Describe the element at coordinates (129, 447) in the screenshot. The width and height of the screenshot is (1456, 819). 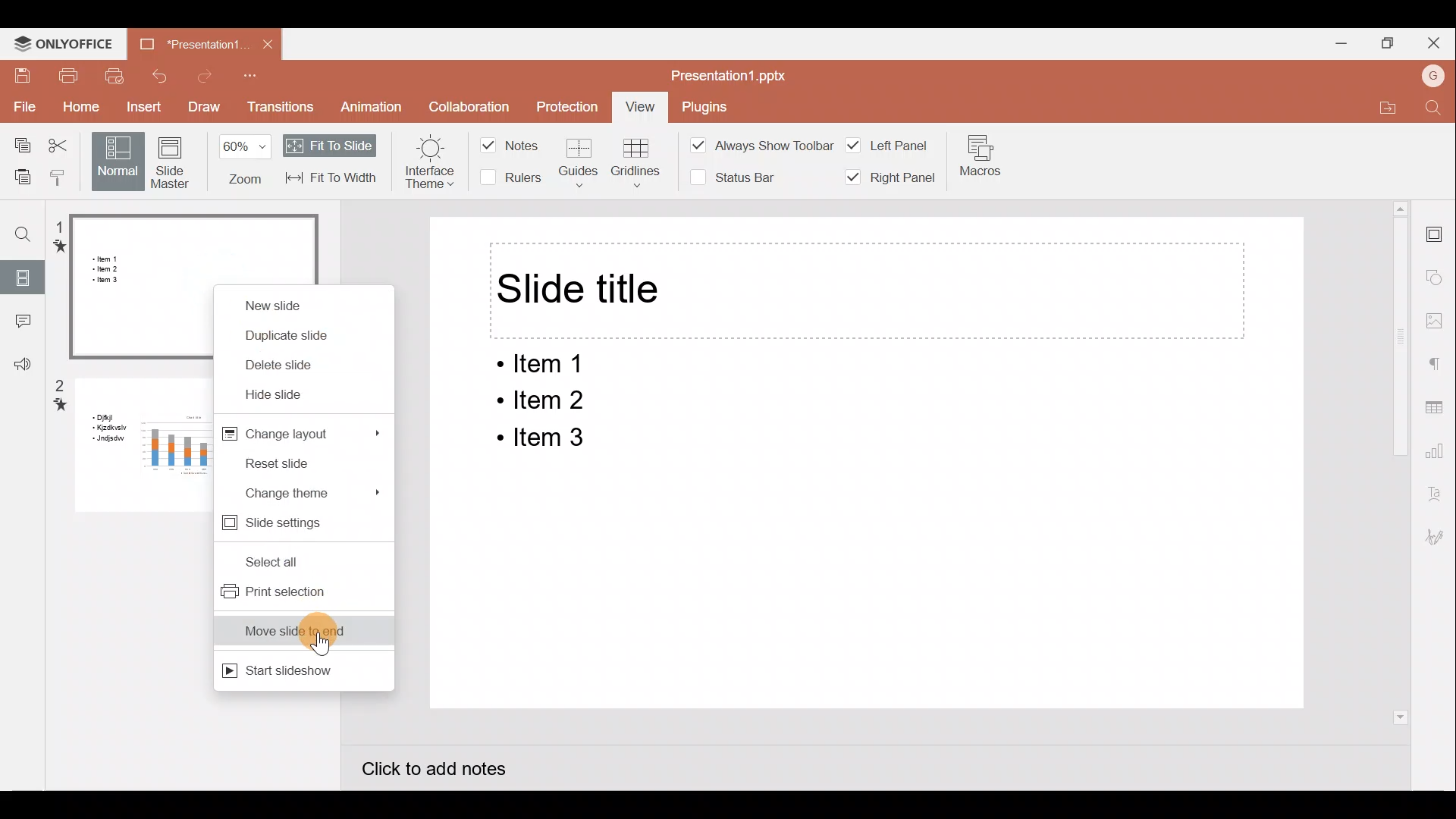
I see `Slide 2` at that location.